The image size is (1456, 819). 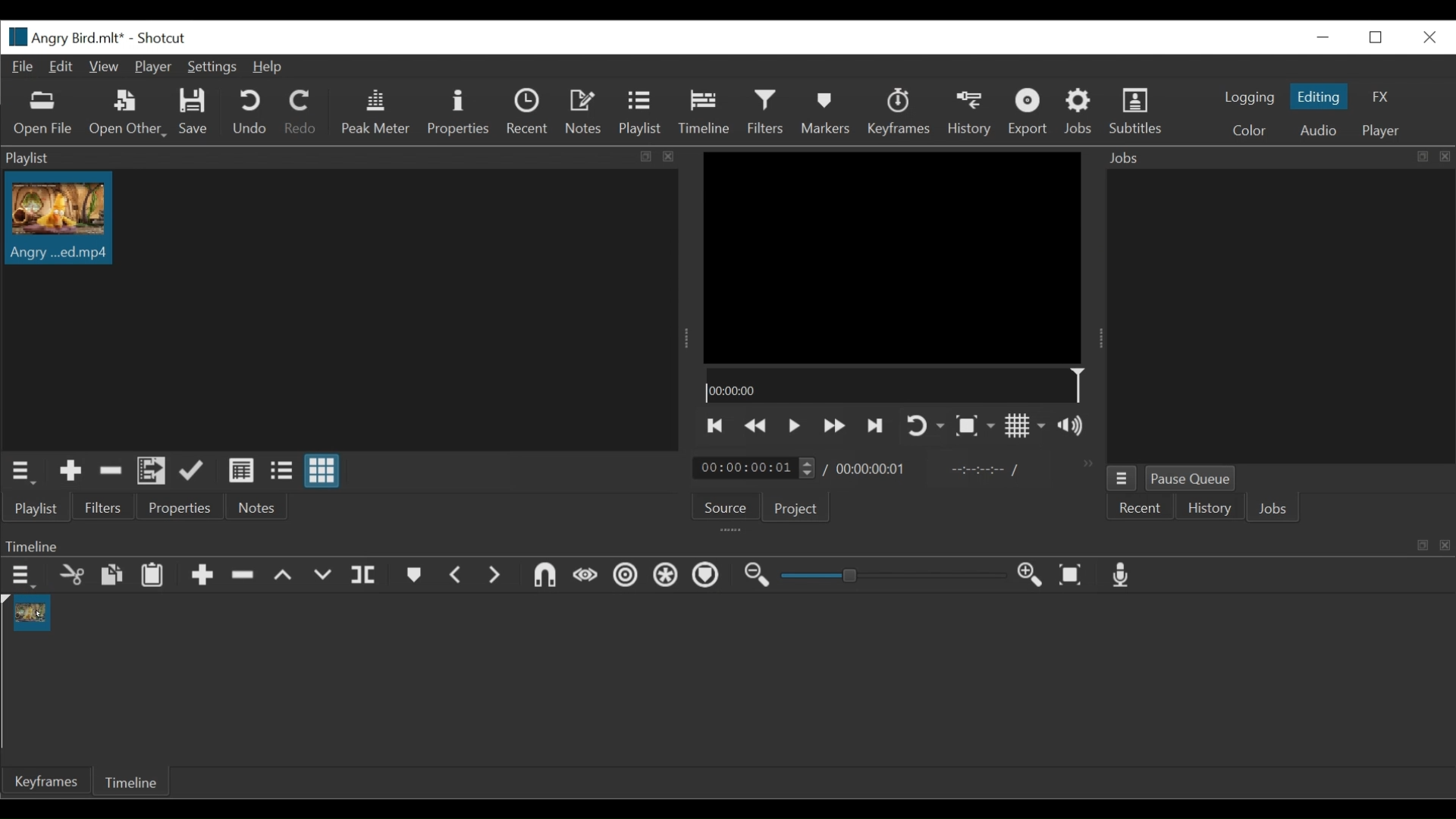 What do you see at coordinates (755, 466) in the screenshot?
I see `Current Duration` at bounding box center [755, 466].